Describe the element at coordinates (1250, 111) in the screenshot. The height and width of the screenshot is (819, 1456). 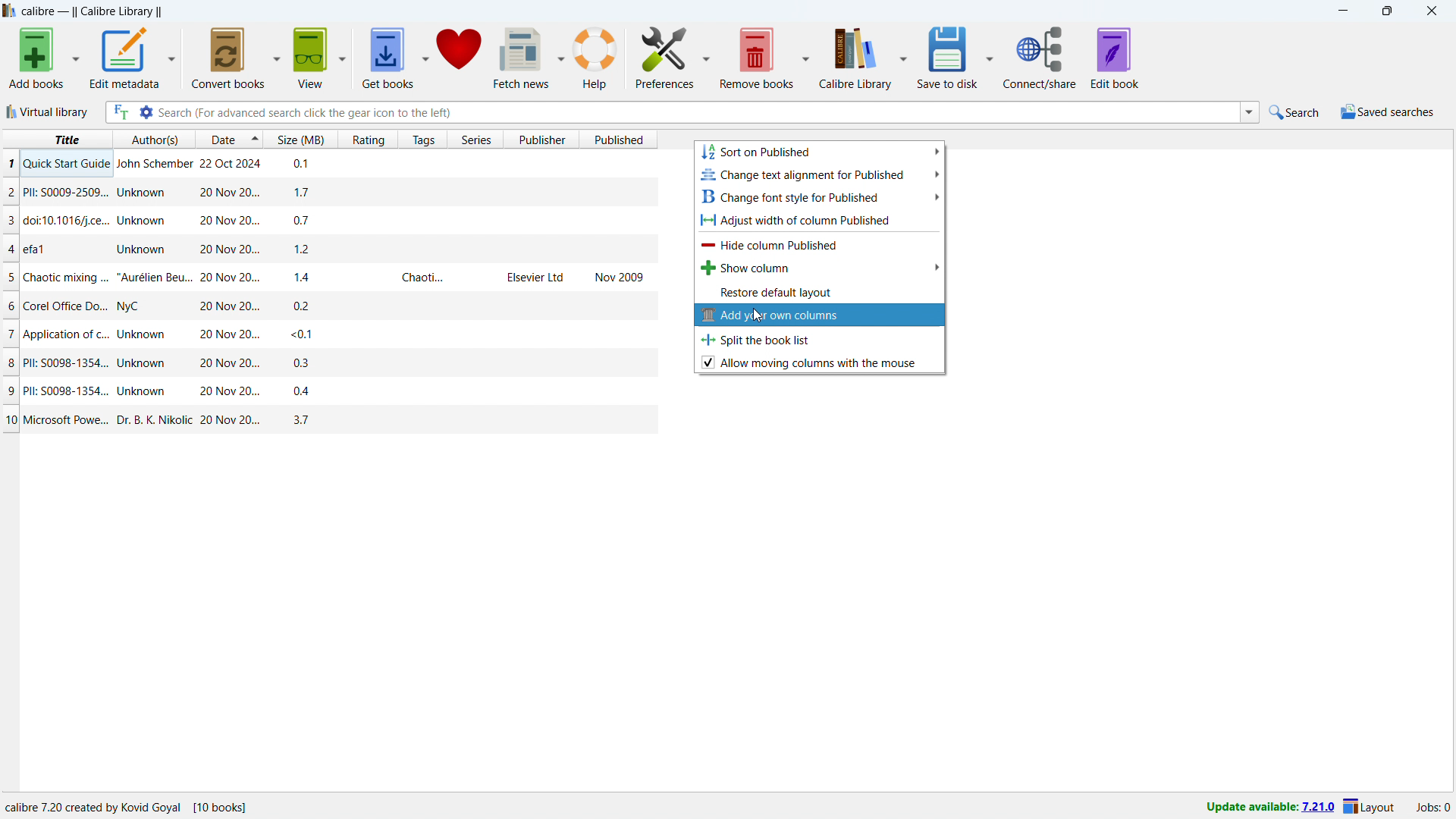
I see `search history` at that location.